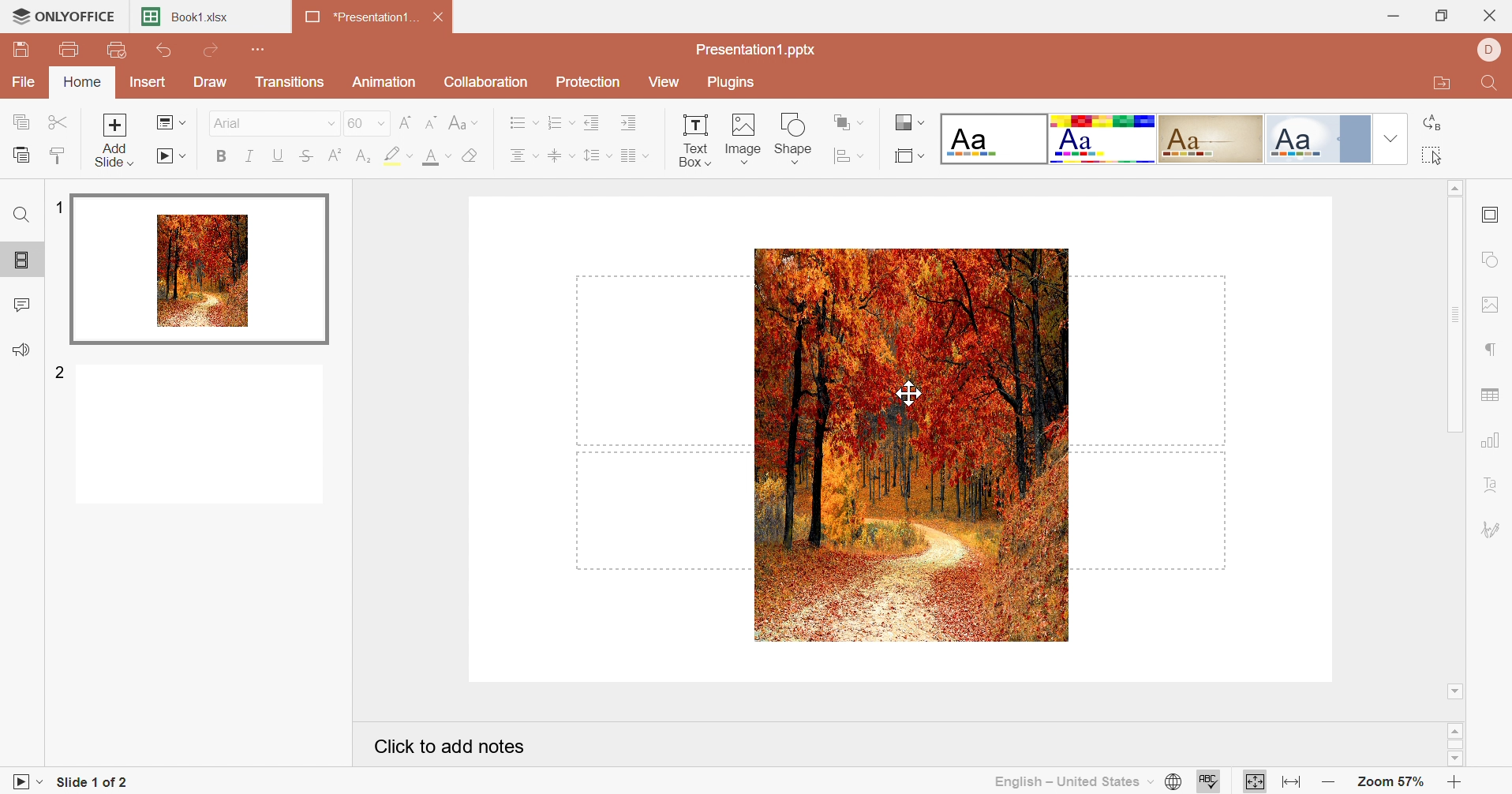  Describe the element at coordinates (254, 49) in the screenshot. I see `Customize Quick Access Toolbar` at that location.